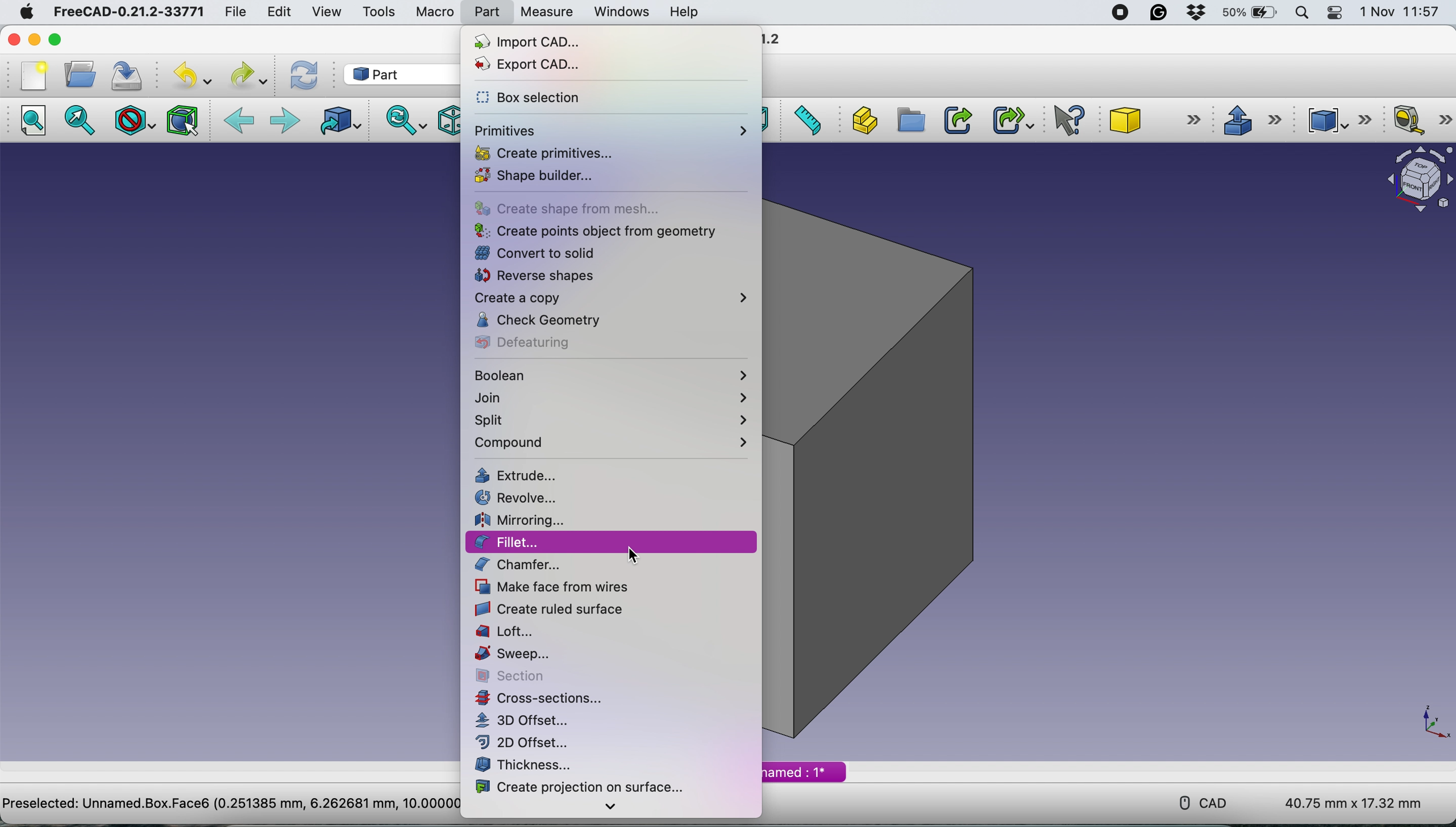 The width and height of the screenshot is (1456, 827). Describe the element at coordinates (546, 321) in the screenshot. I see `check geometry` at that location.